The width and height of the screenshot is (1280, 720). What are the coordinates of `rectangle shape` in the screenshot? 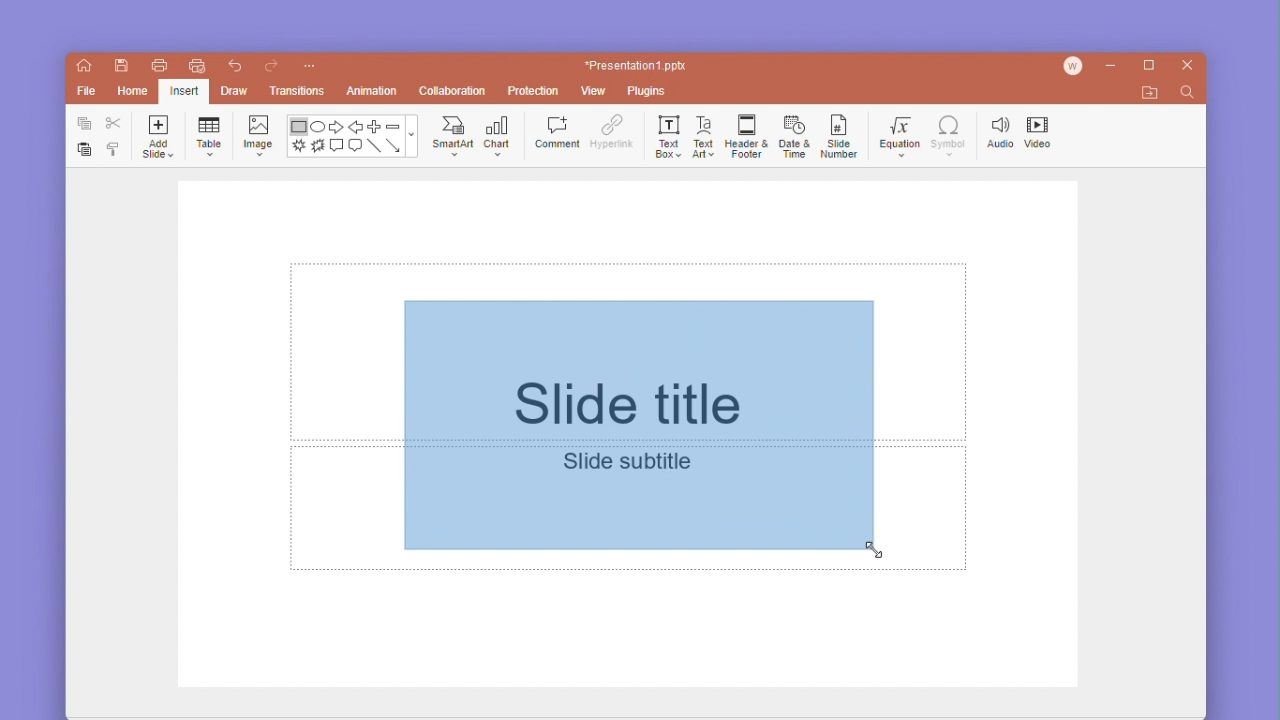 It's located at (298, 127).